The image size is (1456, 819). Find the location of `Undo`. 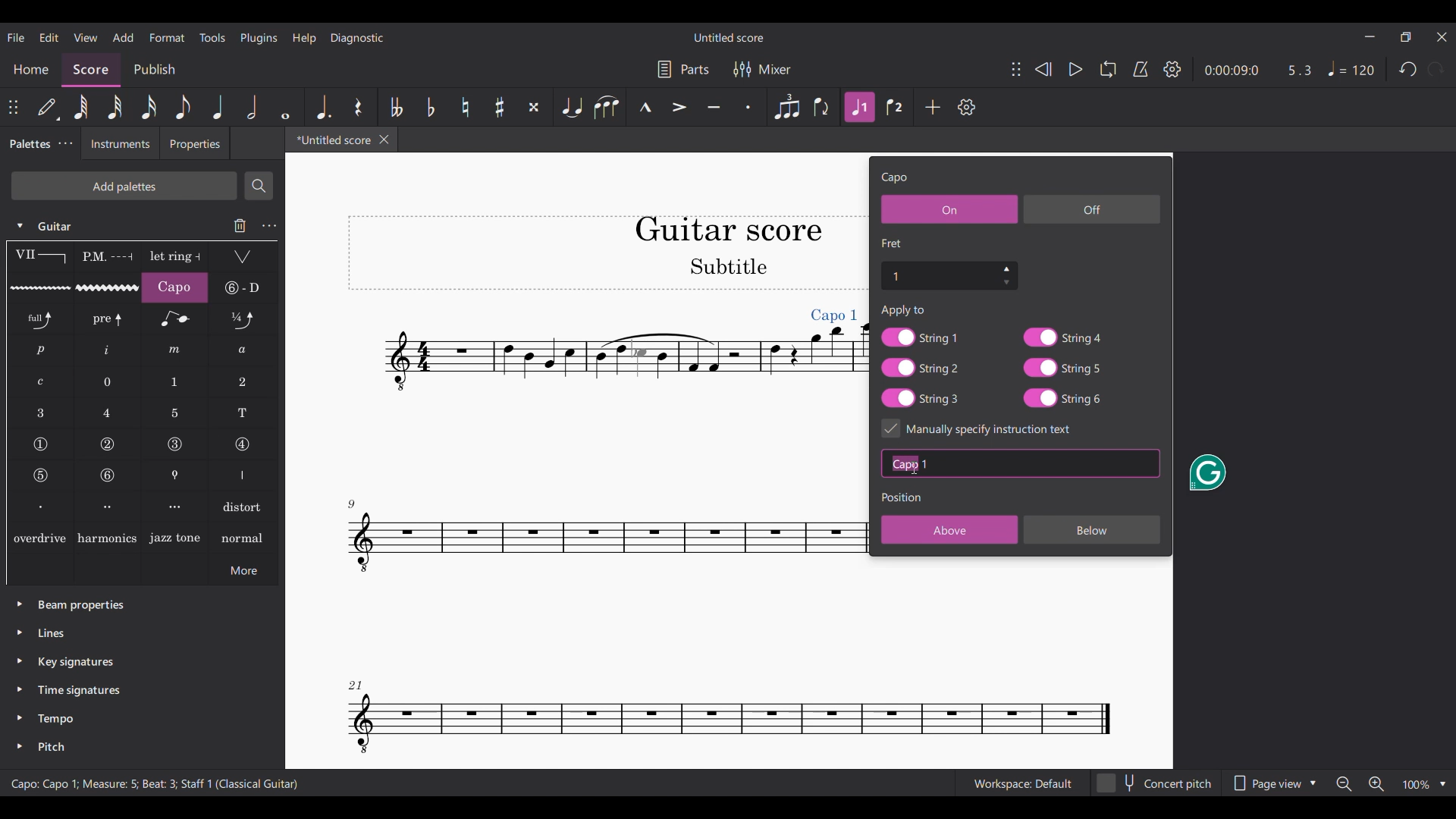

Undo is located at coordinates (1407, 69).